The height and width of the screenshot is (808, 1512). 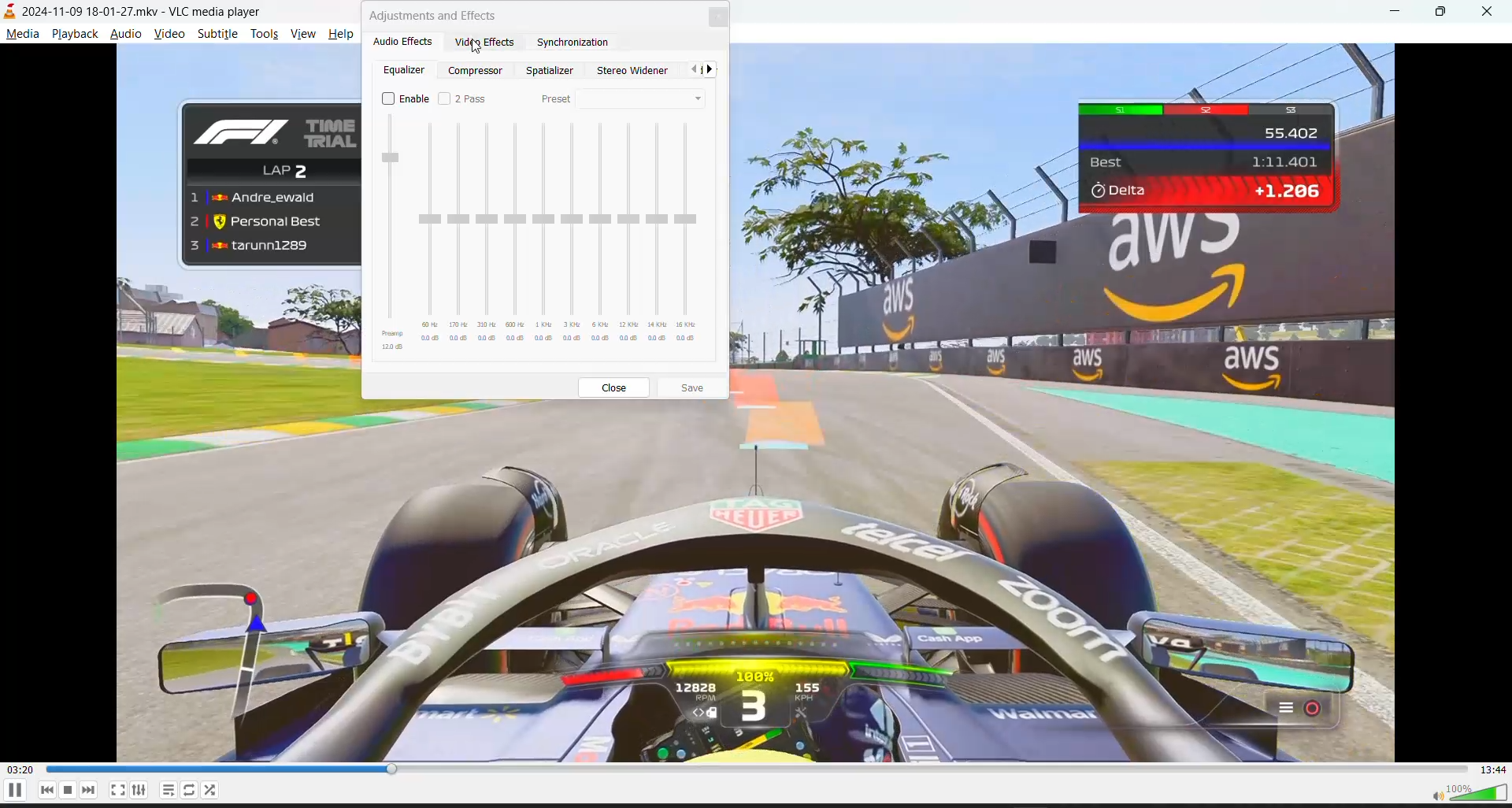 I want to click on close, so click(x=613, y=387).